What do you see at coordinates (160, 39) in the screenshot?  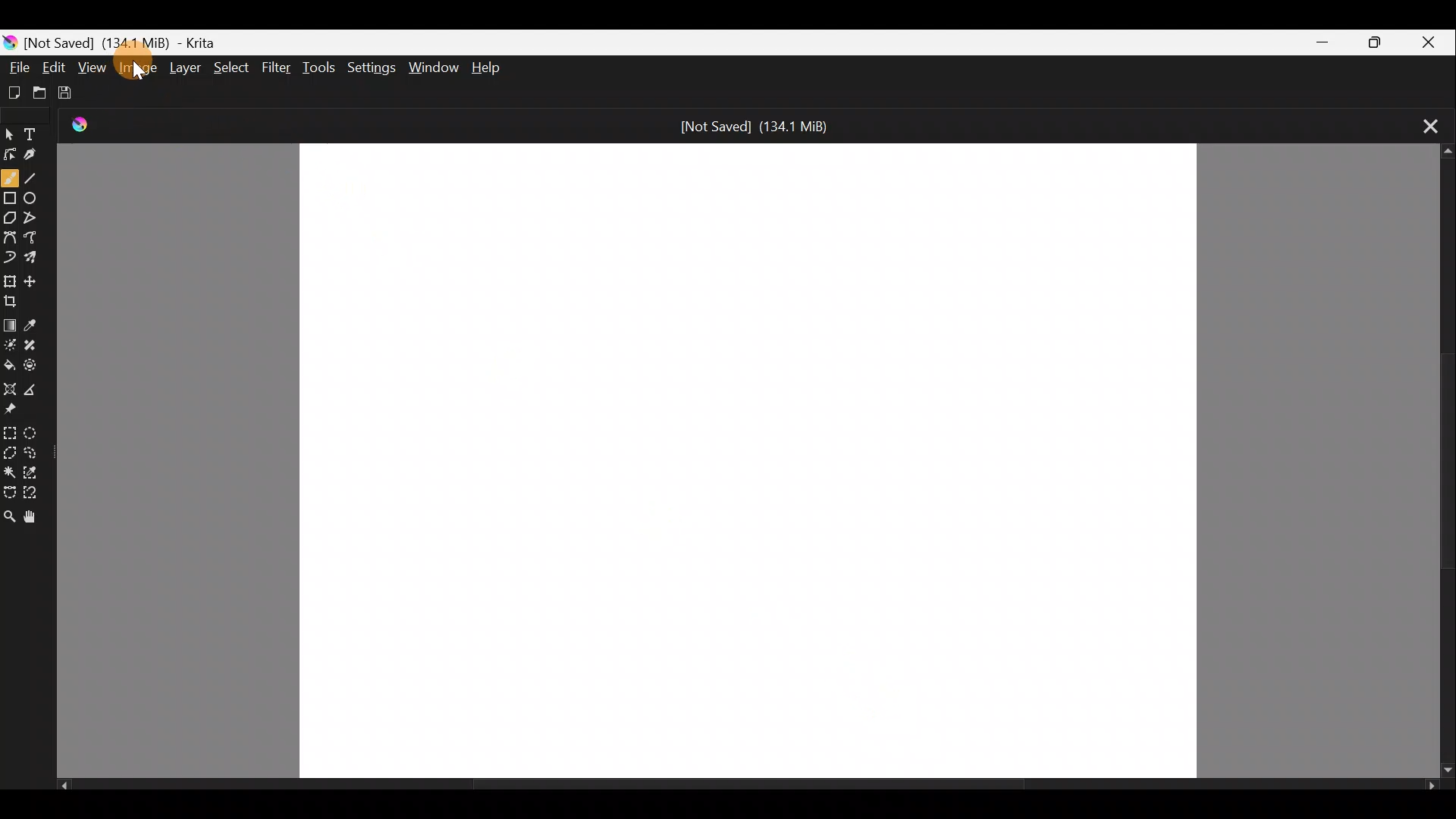 I see `[Not Saved] (134.1 MiB) - Krita` at bounding box center [160, 39].